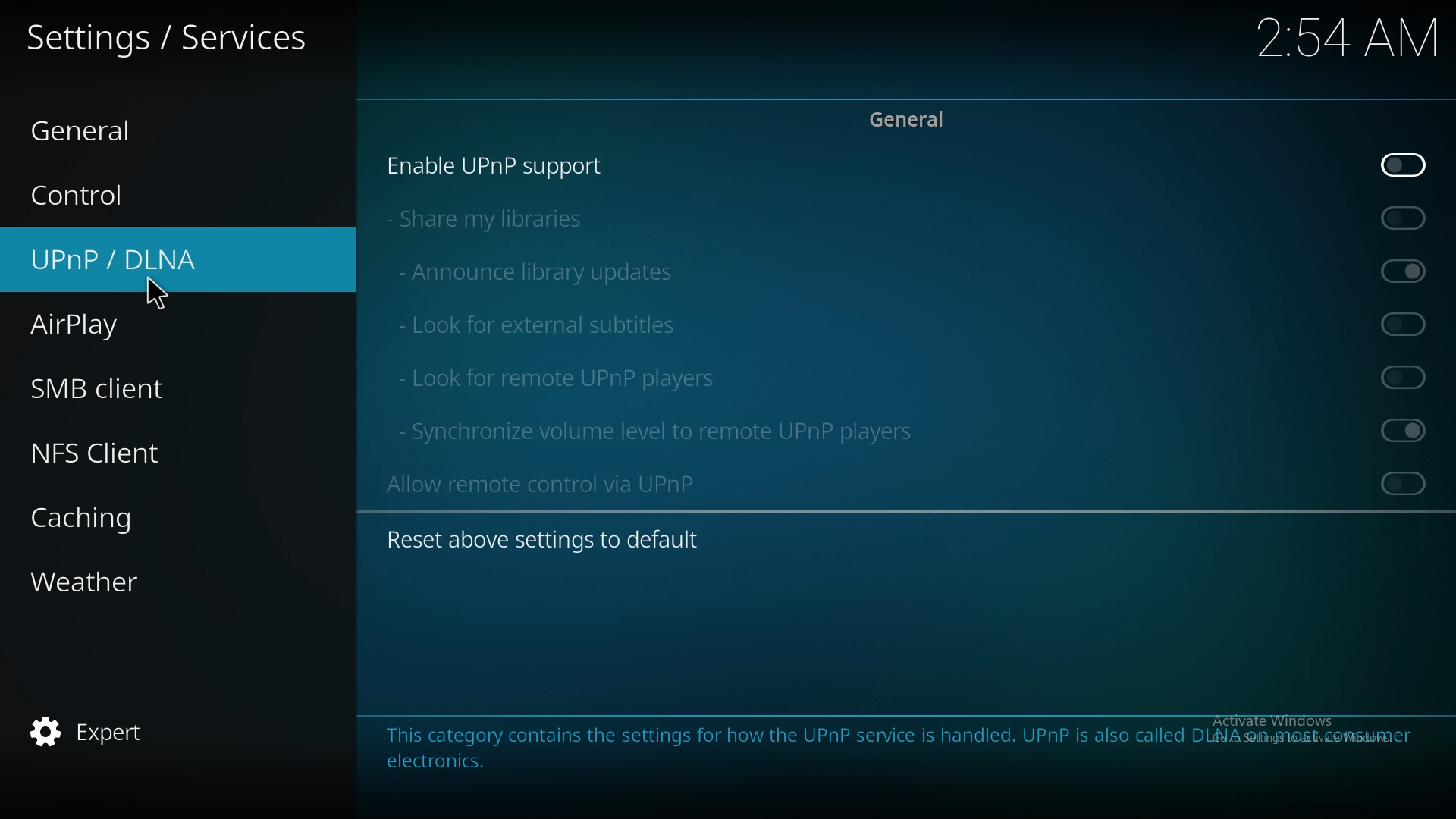  Describe the element at coordinates (106, 455) in the screenshot. I see `nfs client` at that location.